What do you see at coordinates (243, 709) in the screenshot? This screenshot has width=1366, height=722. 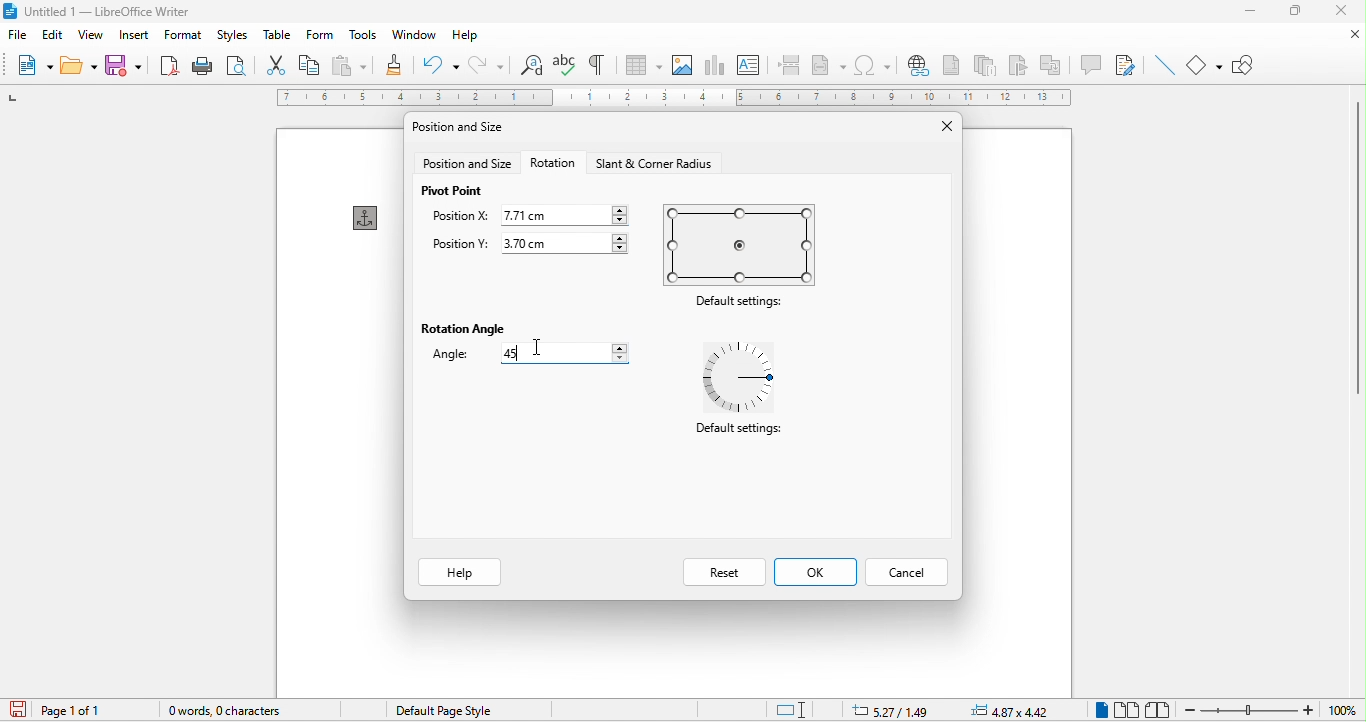 I see `0 words, o character` at bounding box center [243, 709].